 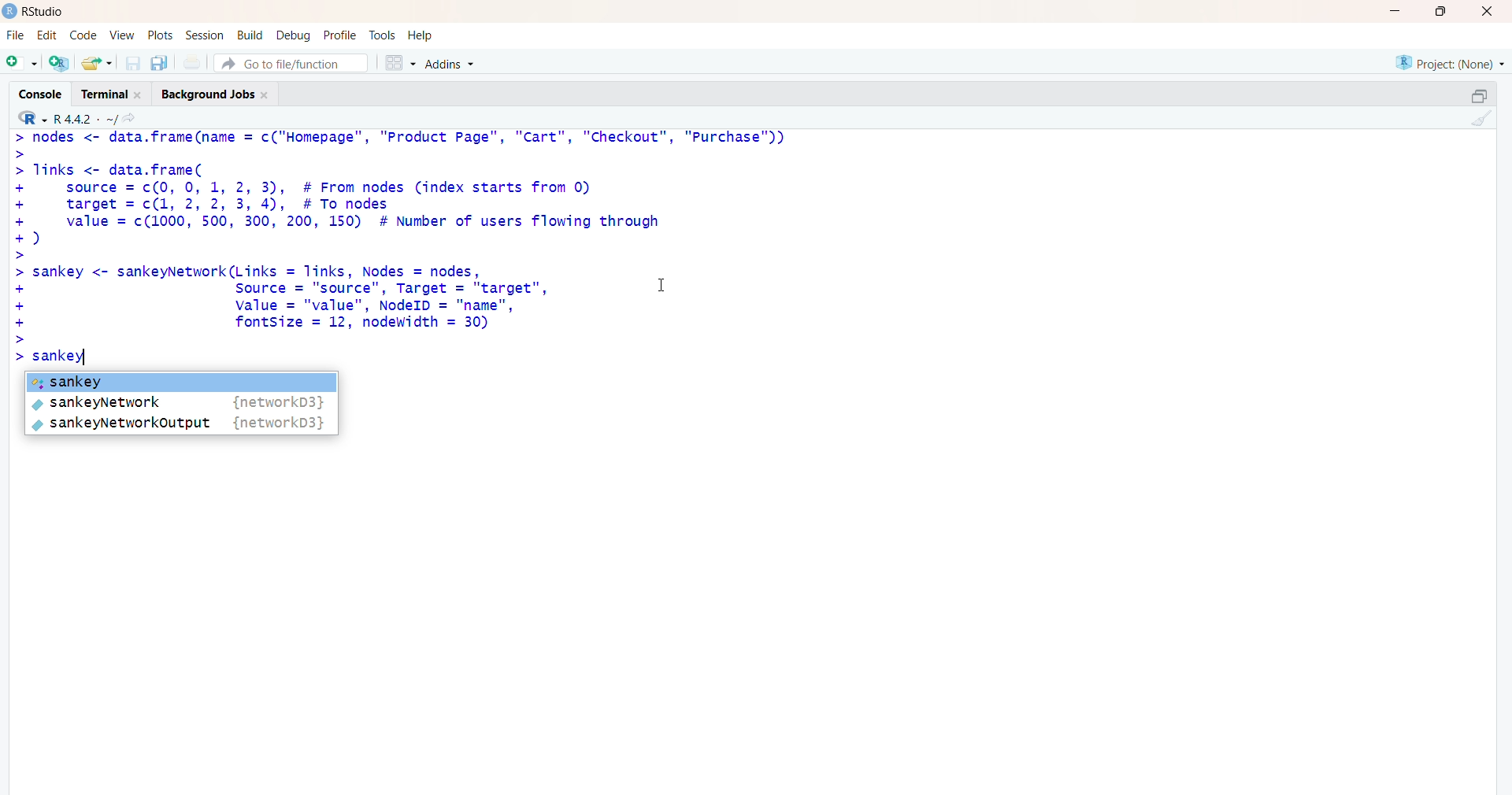 What do you see at coordinates (101, 119) in the screenshot?
I see `R-R442 - ~/` at bounding box center [101, 119].